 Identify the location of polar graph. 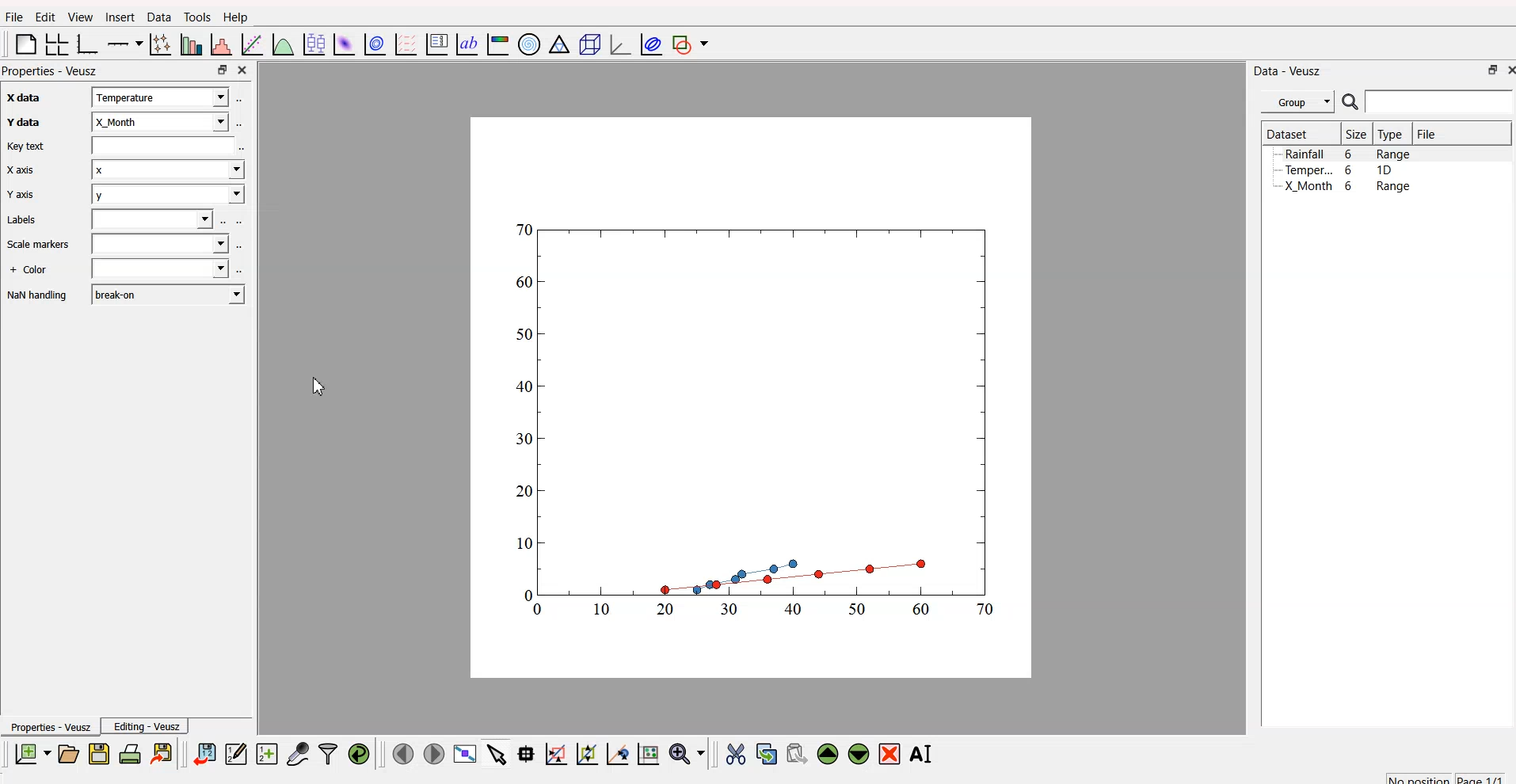
(531, 42).